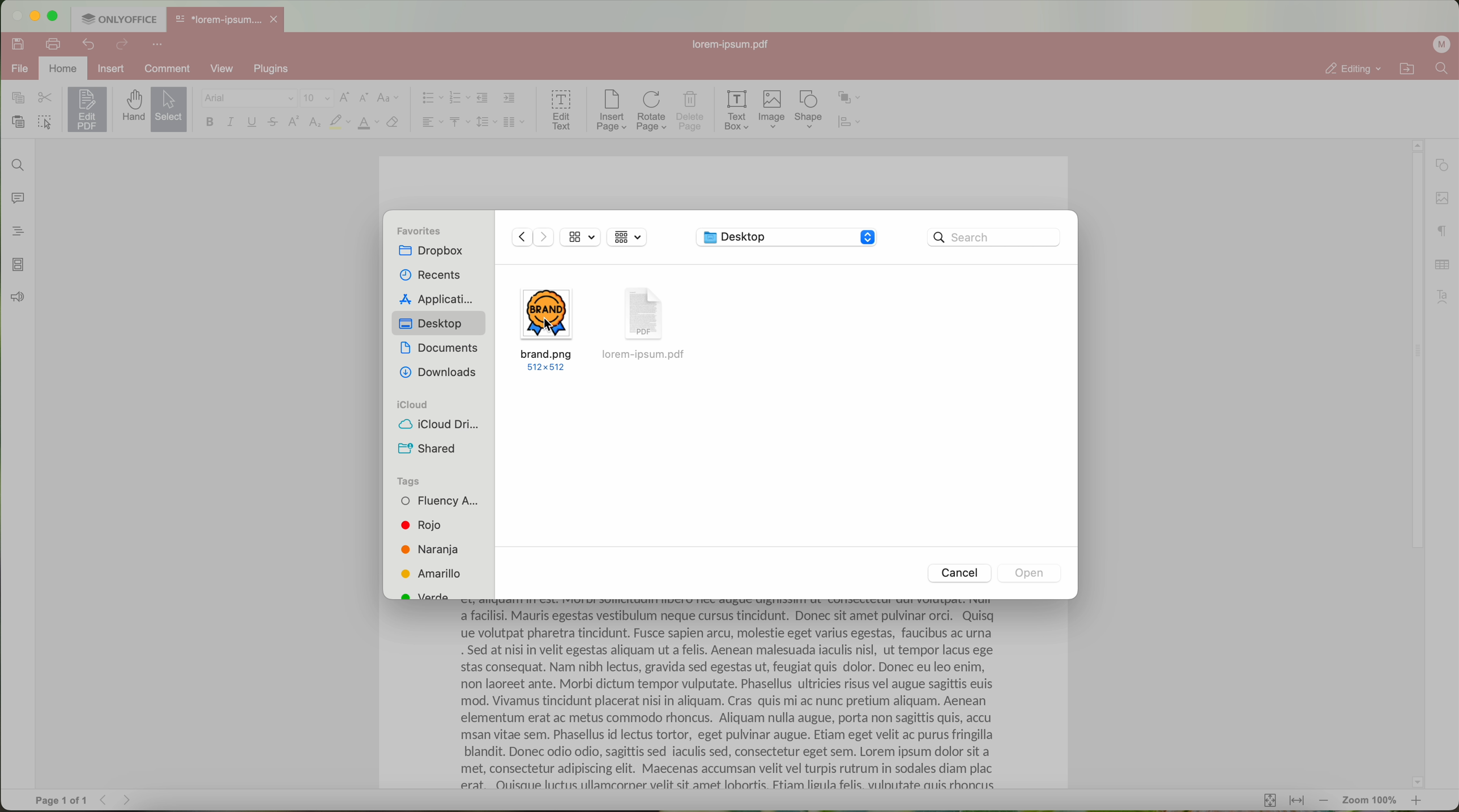 This screenshot has width=1459, height=812. What do you see at coordinates (1441, 165) in the screenshot?
I see `shape settings` at bounding box center [1441, 165].